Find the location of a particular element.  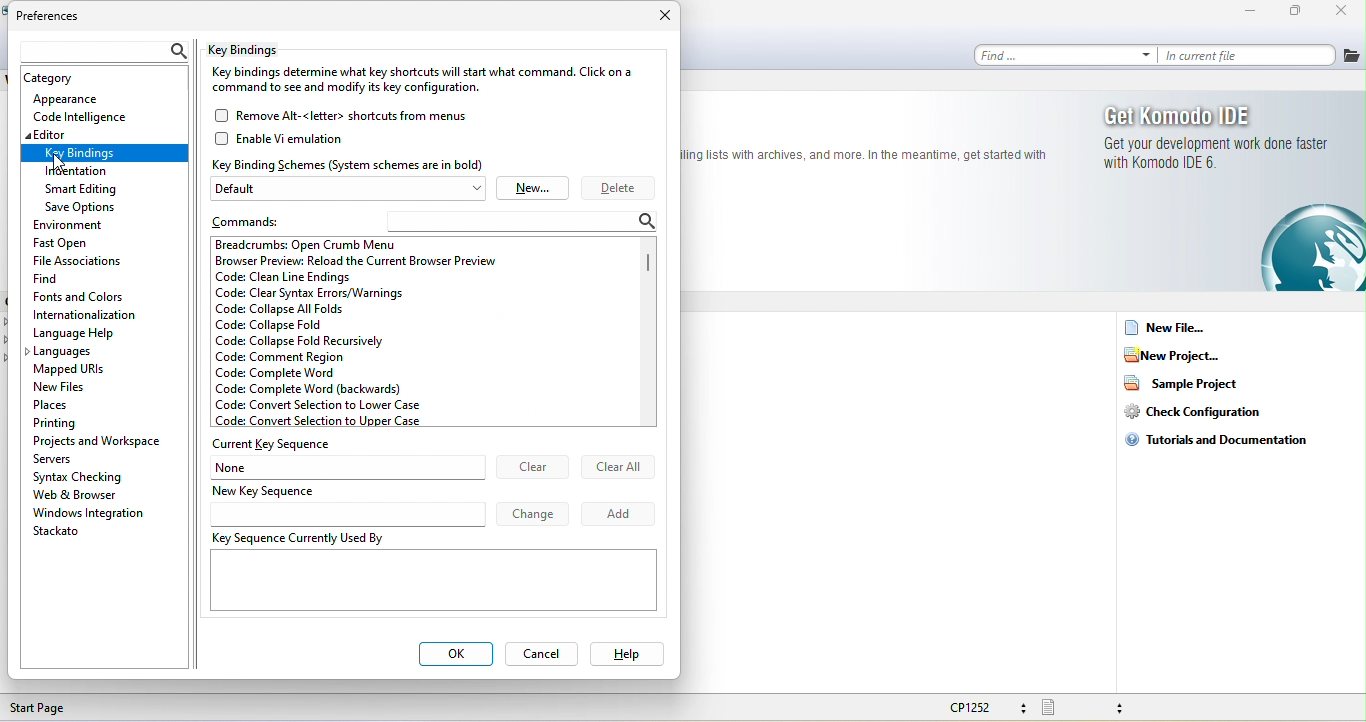

web and browse is located at coordinates (94, 495).